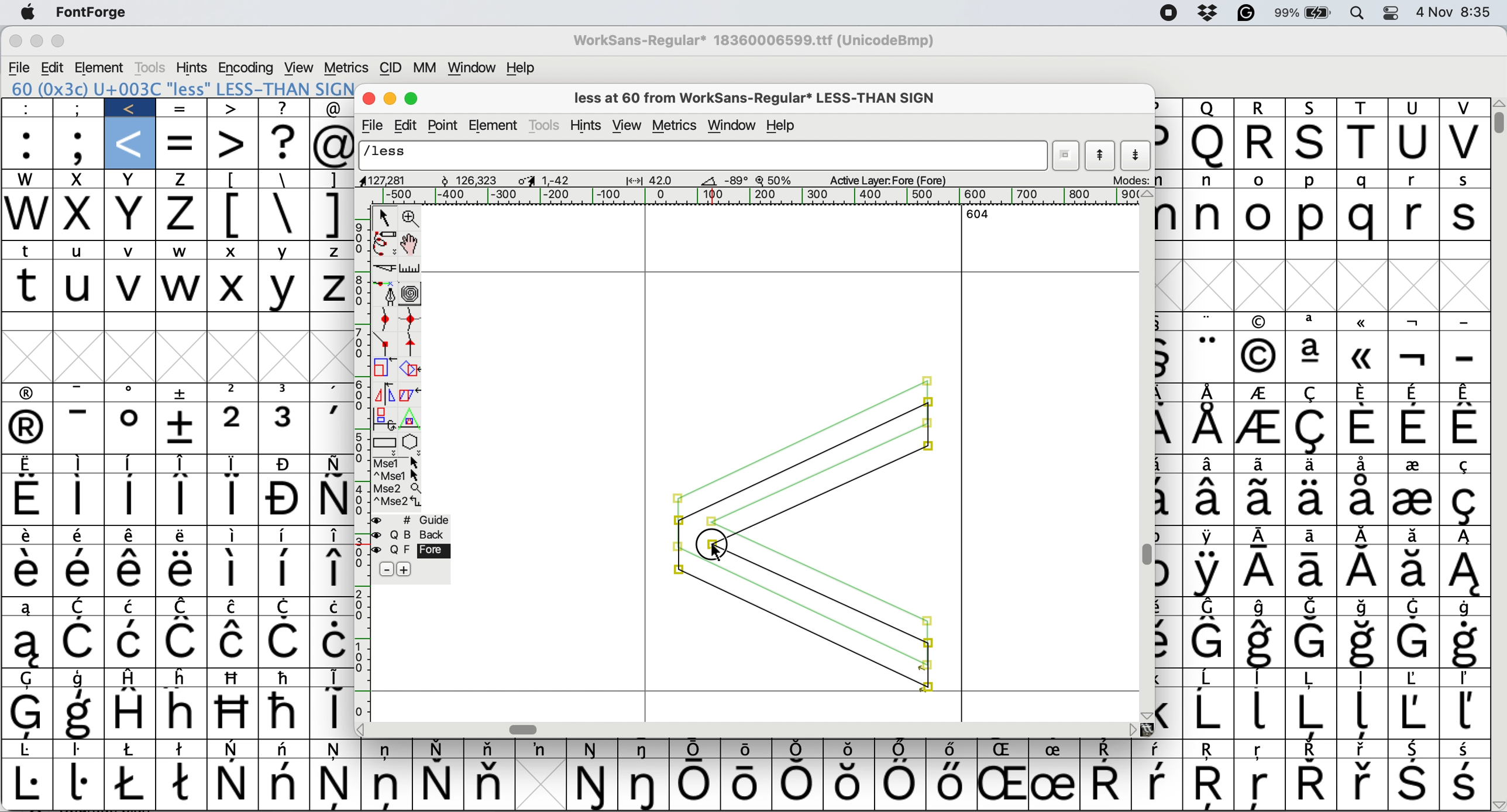 This screenshot has width=1507, height=812. I want to click on show previous letter, so click(1101, 156).